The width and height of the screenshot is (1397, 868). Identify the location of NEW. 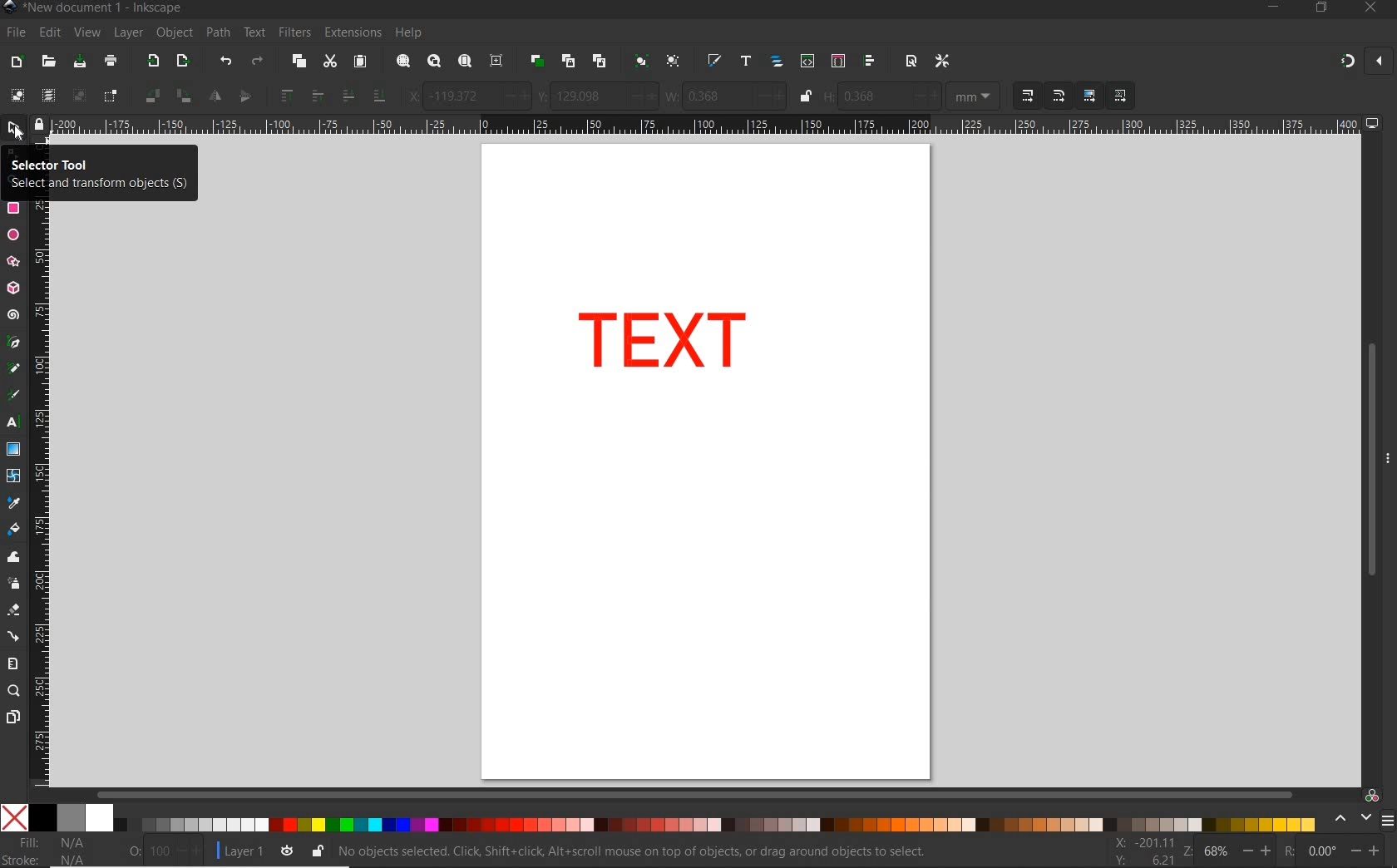
(16, 62).